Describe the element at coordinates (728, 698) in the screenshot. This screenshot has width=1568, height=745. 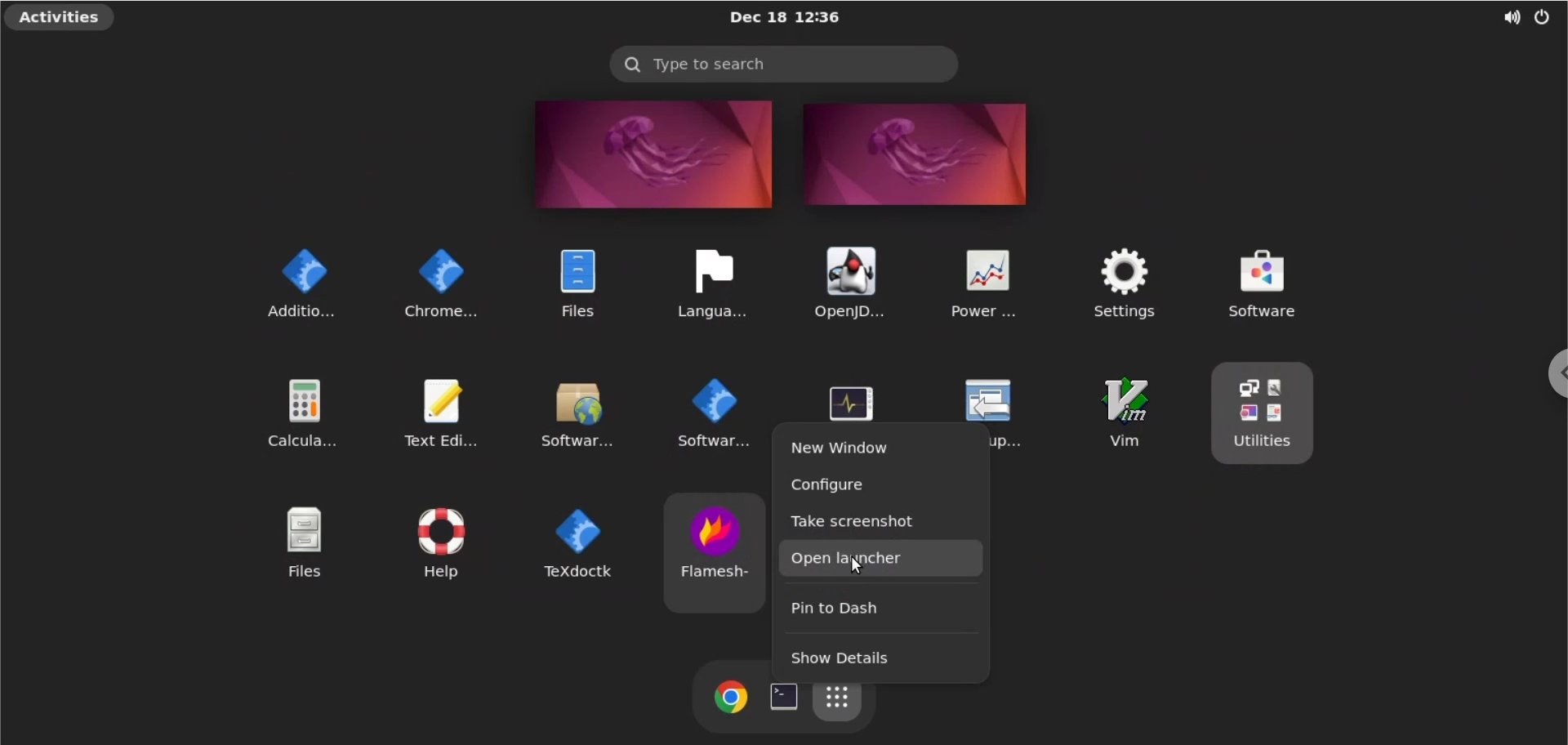
I see `chrome` at that location.